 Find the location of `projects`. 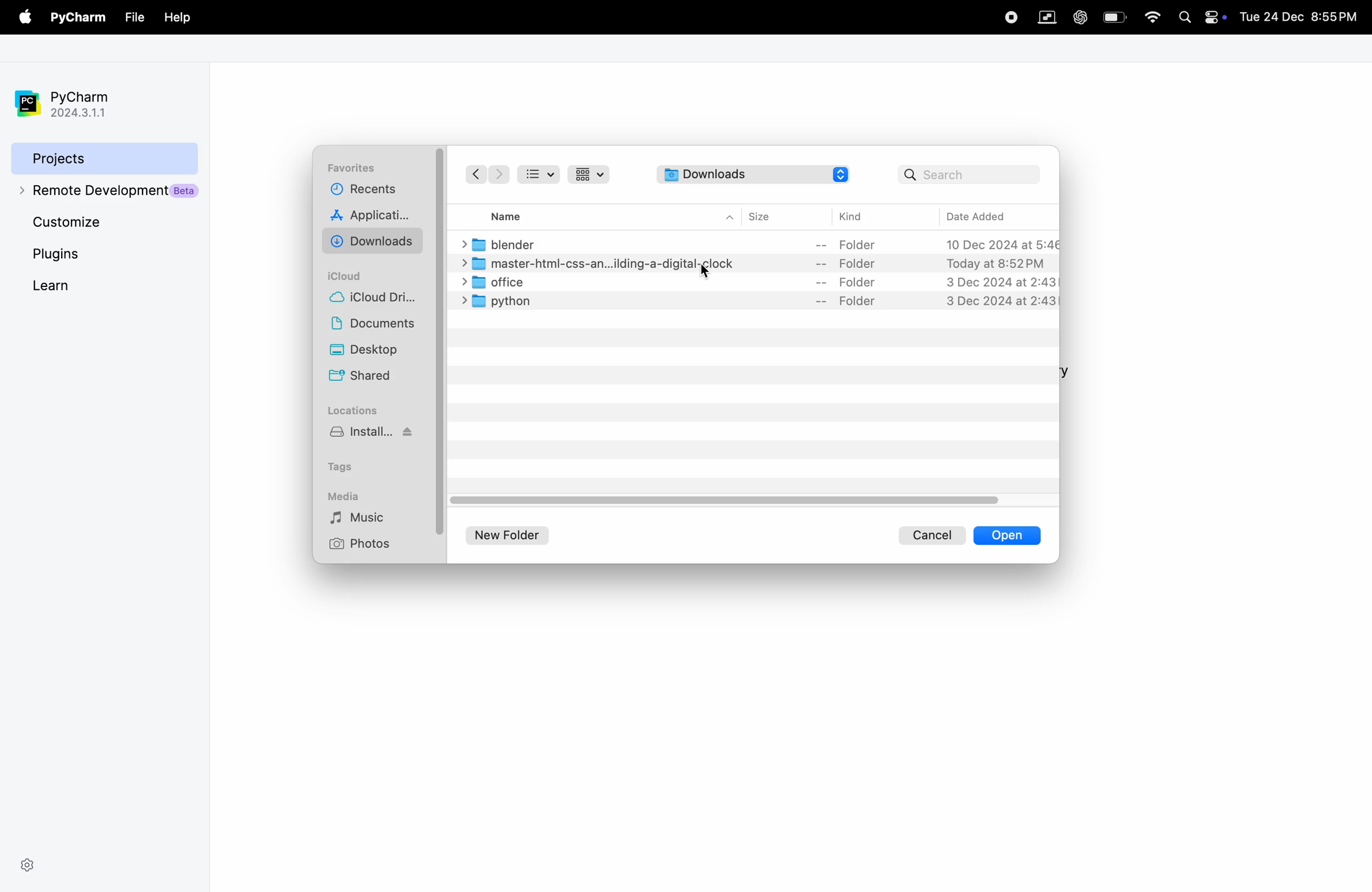

projects is located at coordinates (101, 157).